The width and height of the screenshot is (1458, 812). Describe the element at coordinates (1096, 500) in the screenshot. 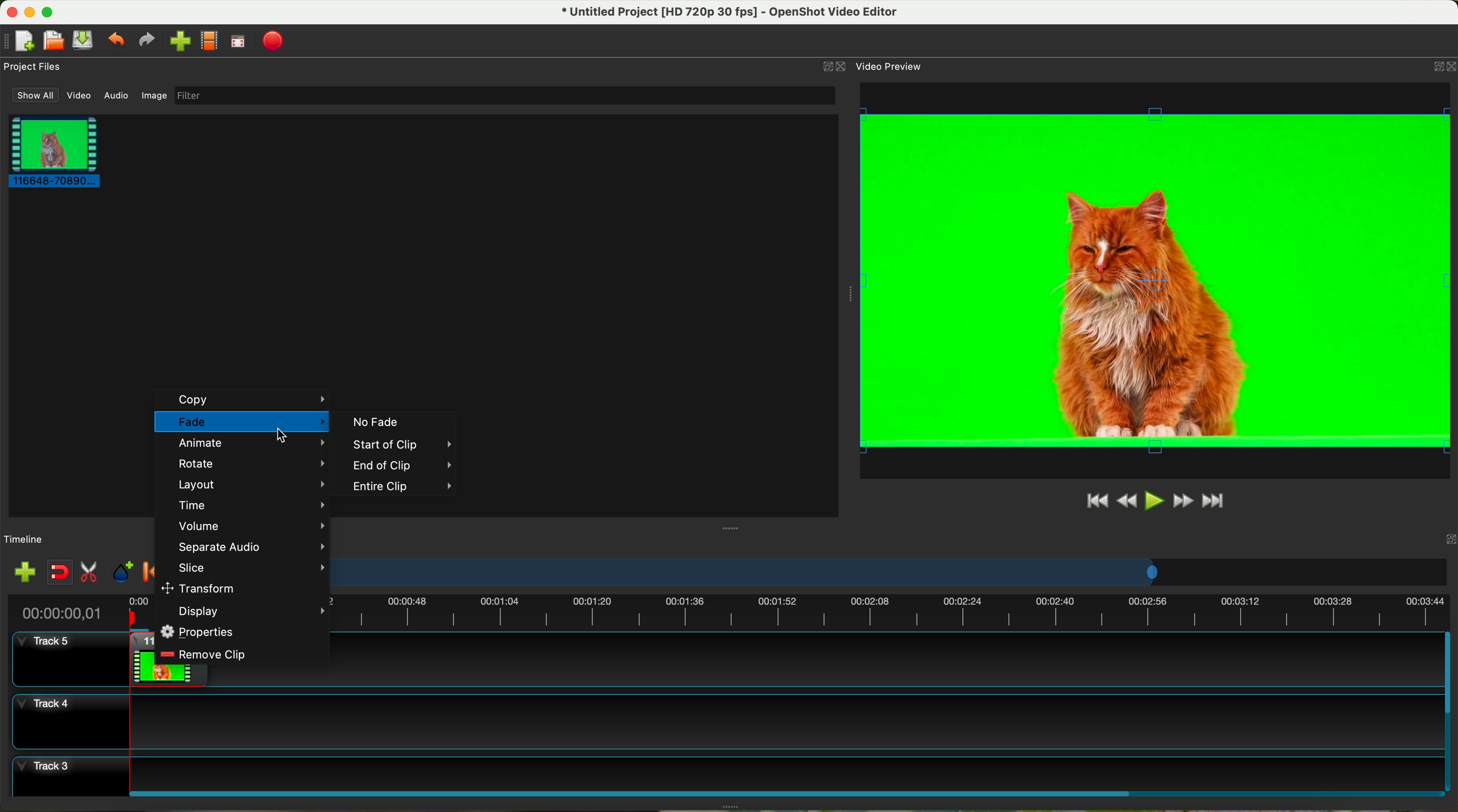

I see `jump to start` at that location.